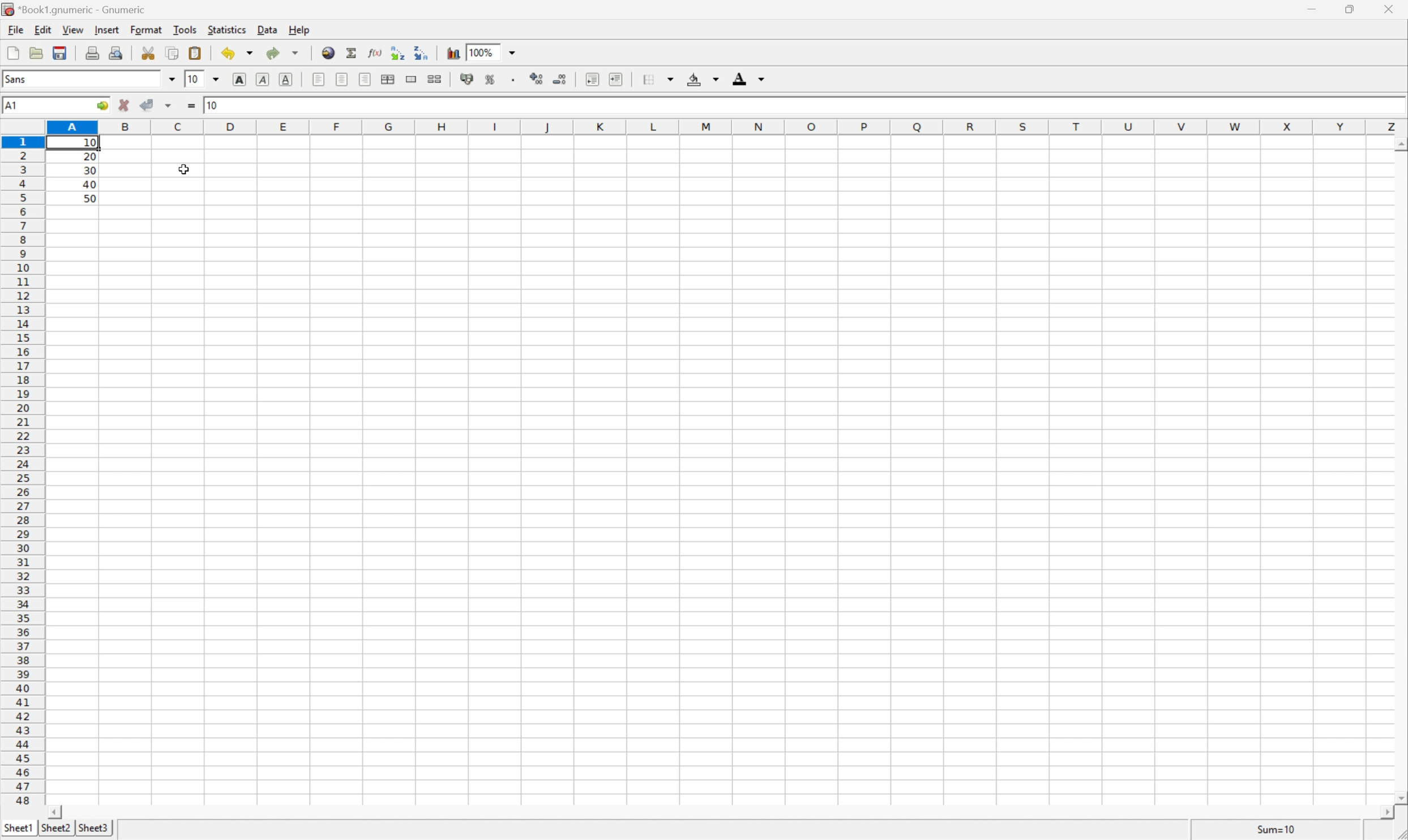  I want to click on Row numbers, so click(21, 470).